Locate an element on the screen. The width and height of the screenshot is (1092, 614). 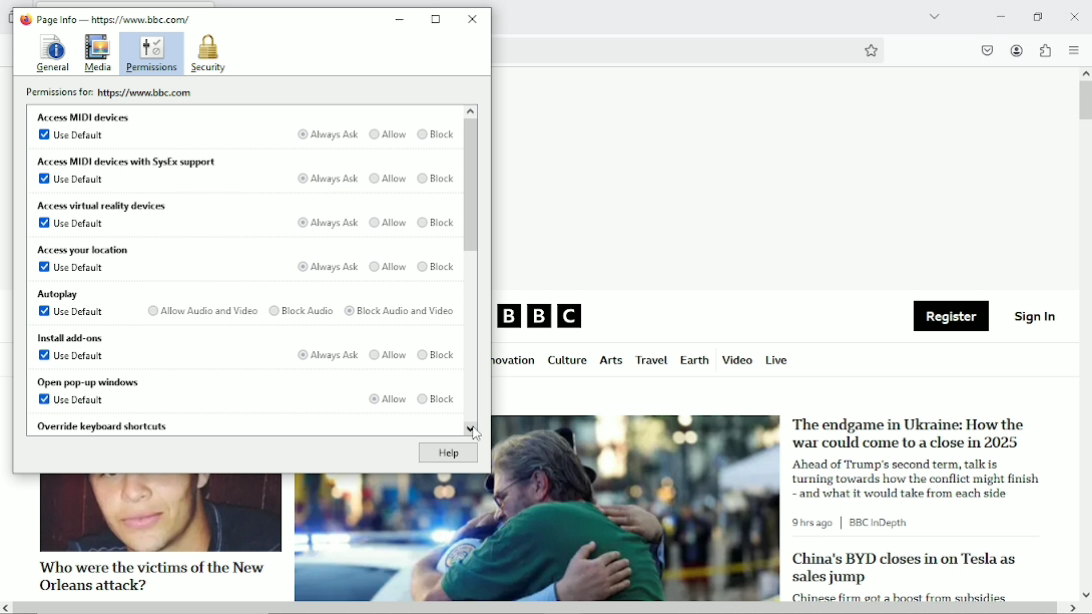
open application menu is located at coordinates (1073, 50).